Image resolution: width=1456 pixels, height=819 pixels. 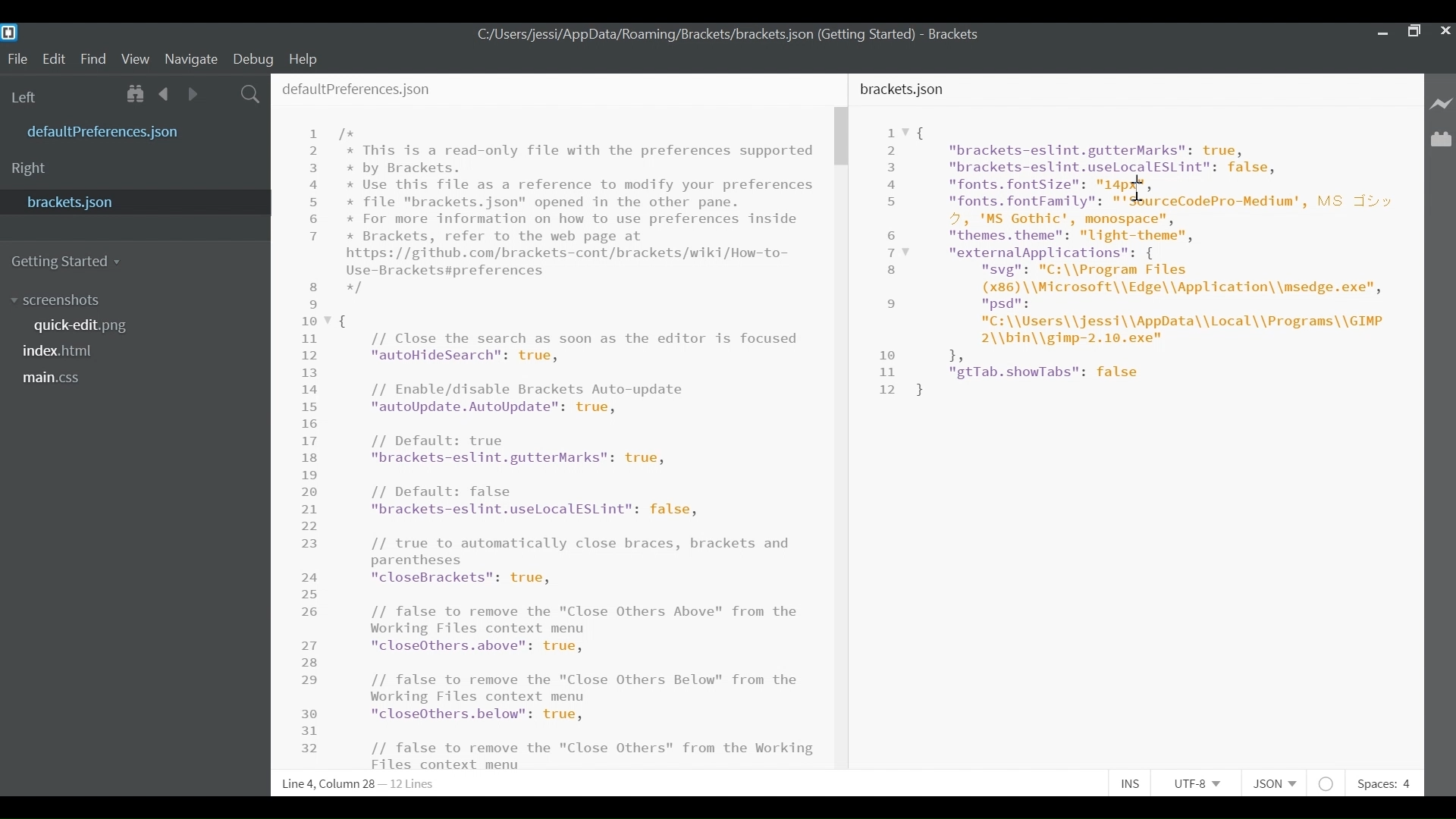 I want to click on cursor, so click(x=1139, y=193).